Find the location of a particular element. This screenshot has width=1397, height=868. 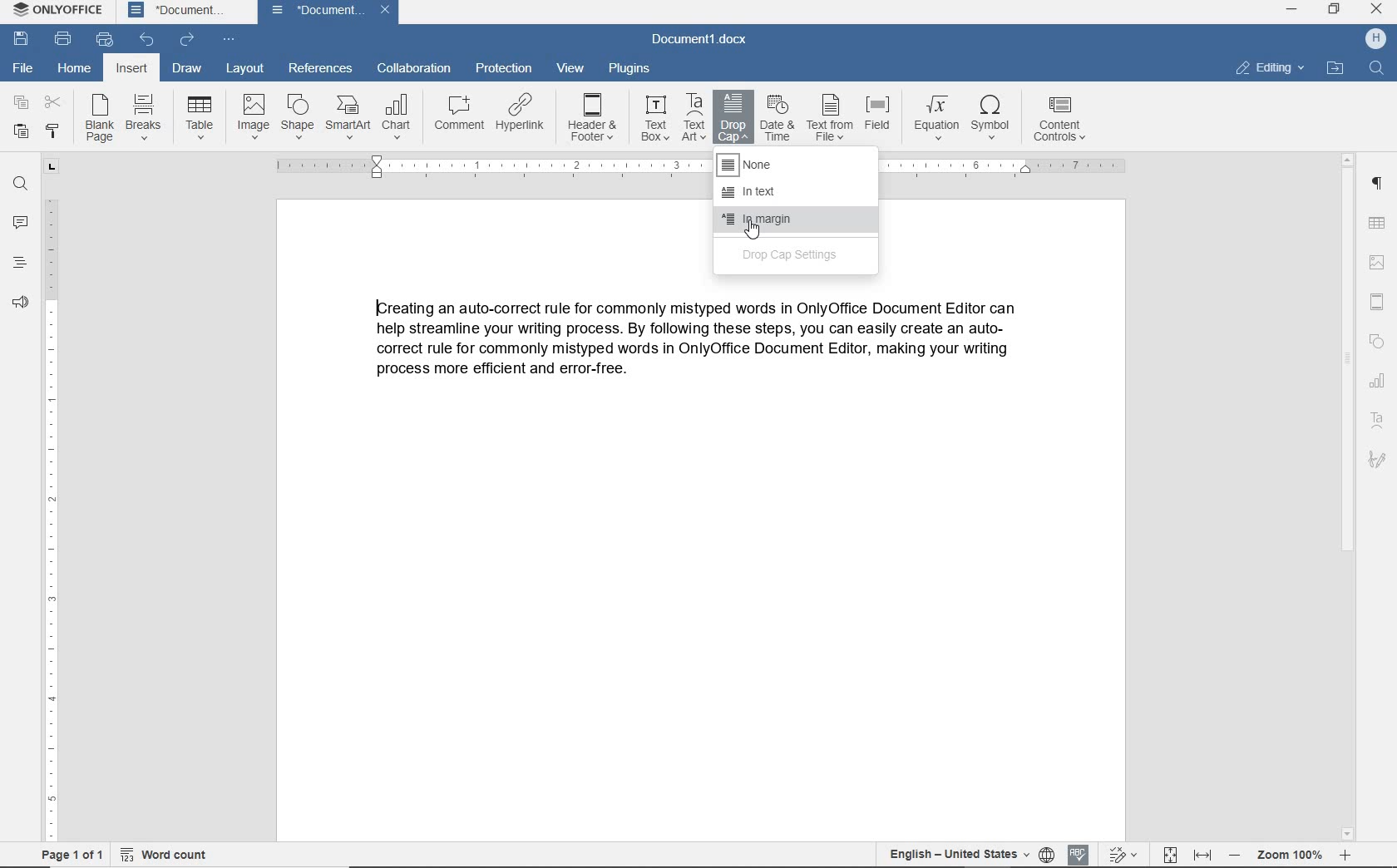

text language is located at coordinates (958, 855).